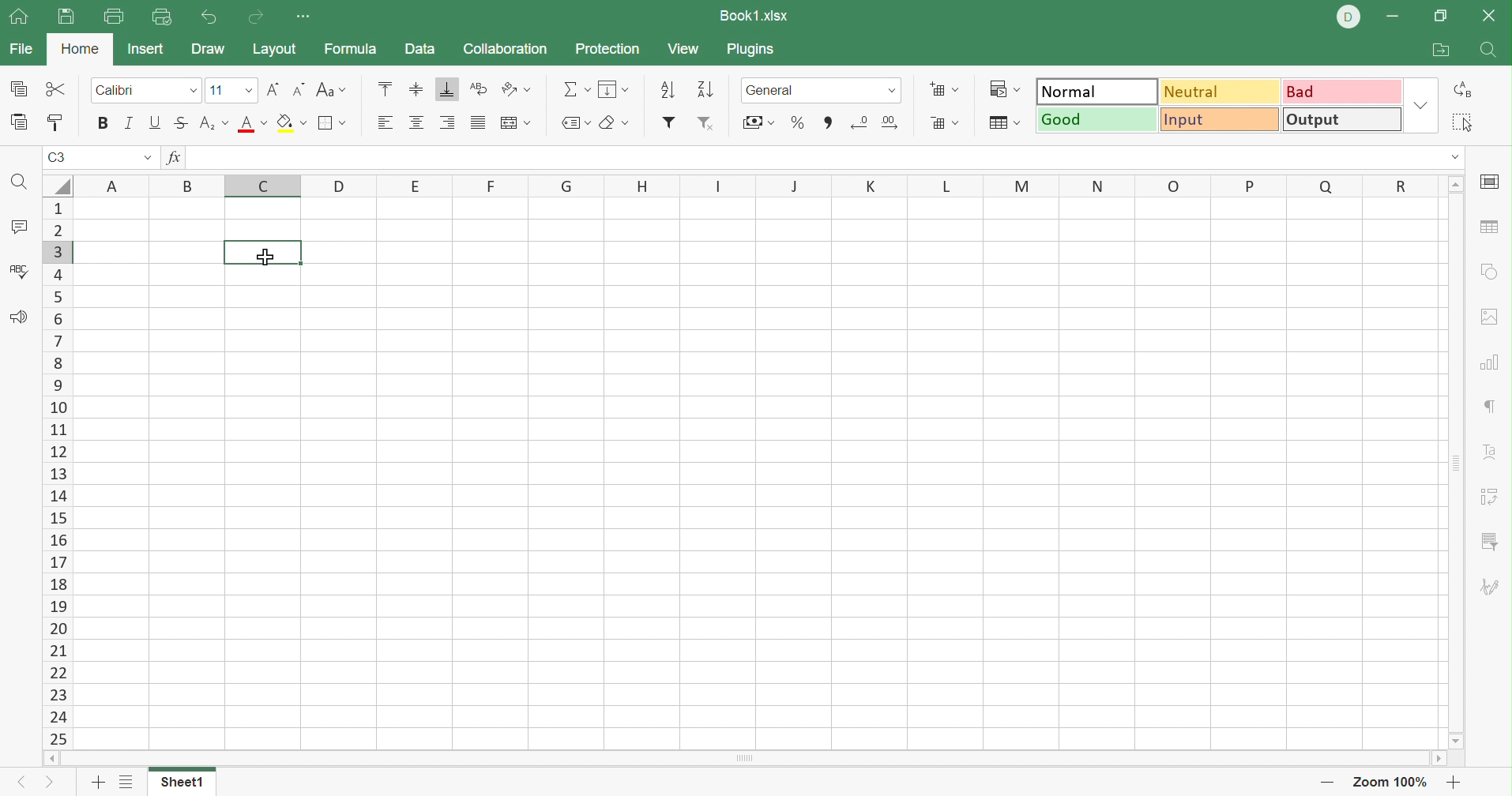  Describe the element at coordinates (481, 122) in the screenshot. I see `Justified` at that location.